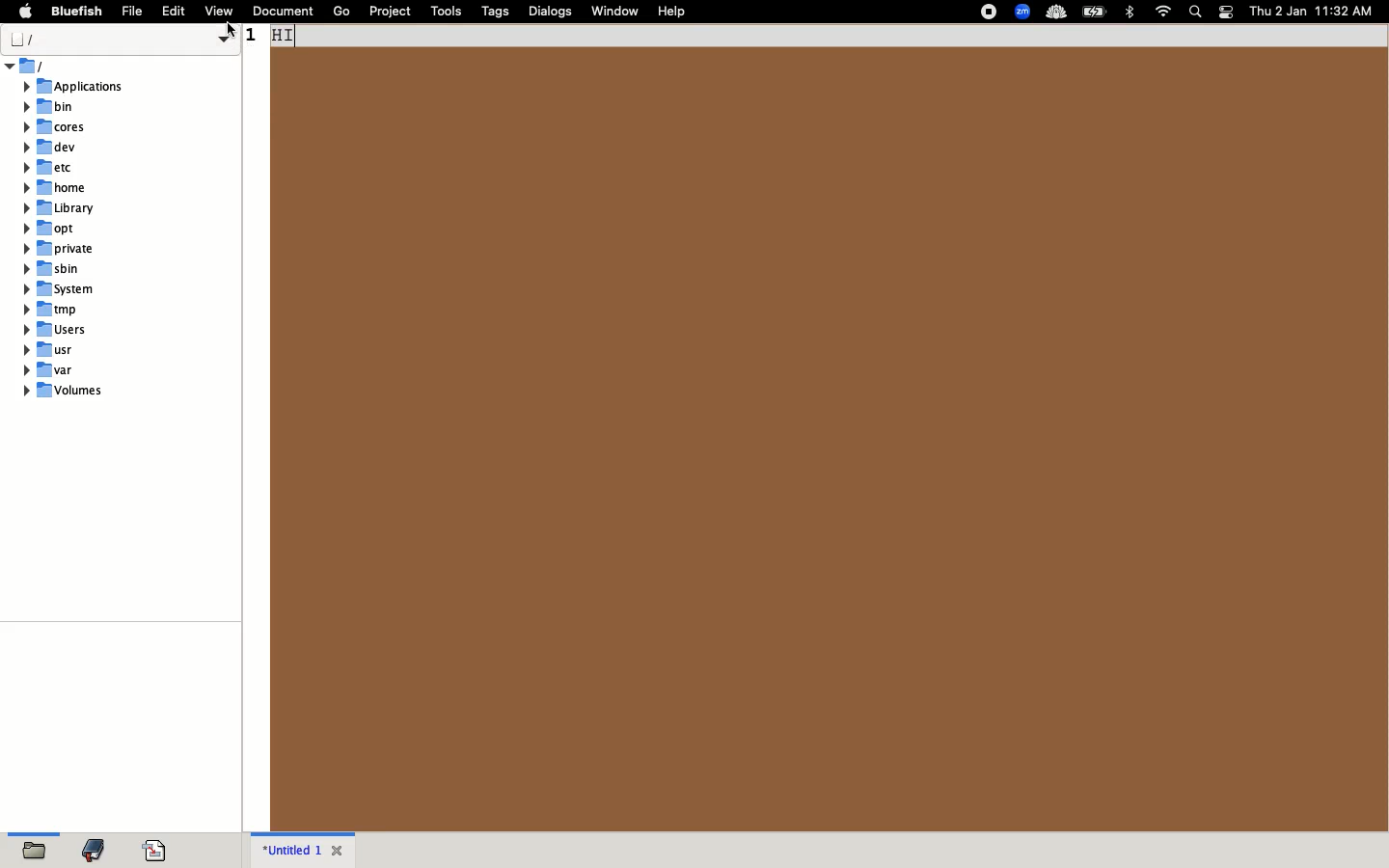  I want to click on bin, so click(50, 107).